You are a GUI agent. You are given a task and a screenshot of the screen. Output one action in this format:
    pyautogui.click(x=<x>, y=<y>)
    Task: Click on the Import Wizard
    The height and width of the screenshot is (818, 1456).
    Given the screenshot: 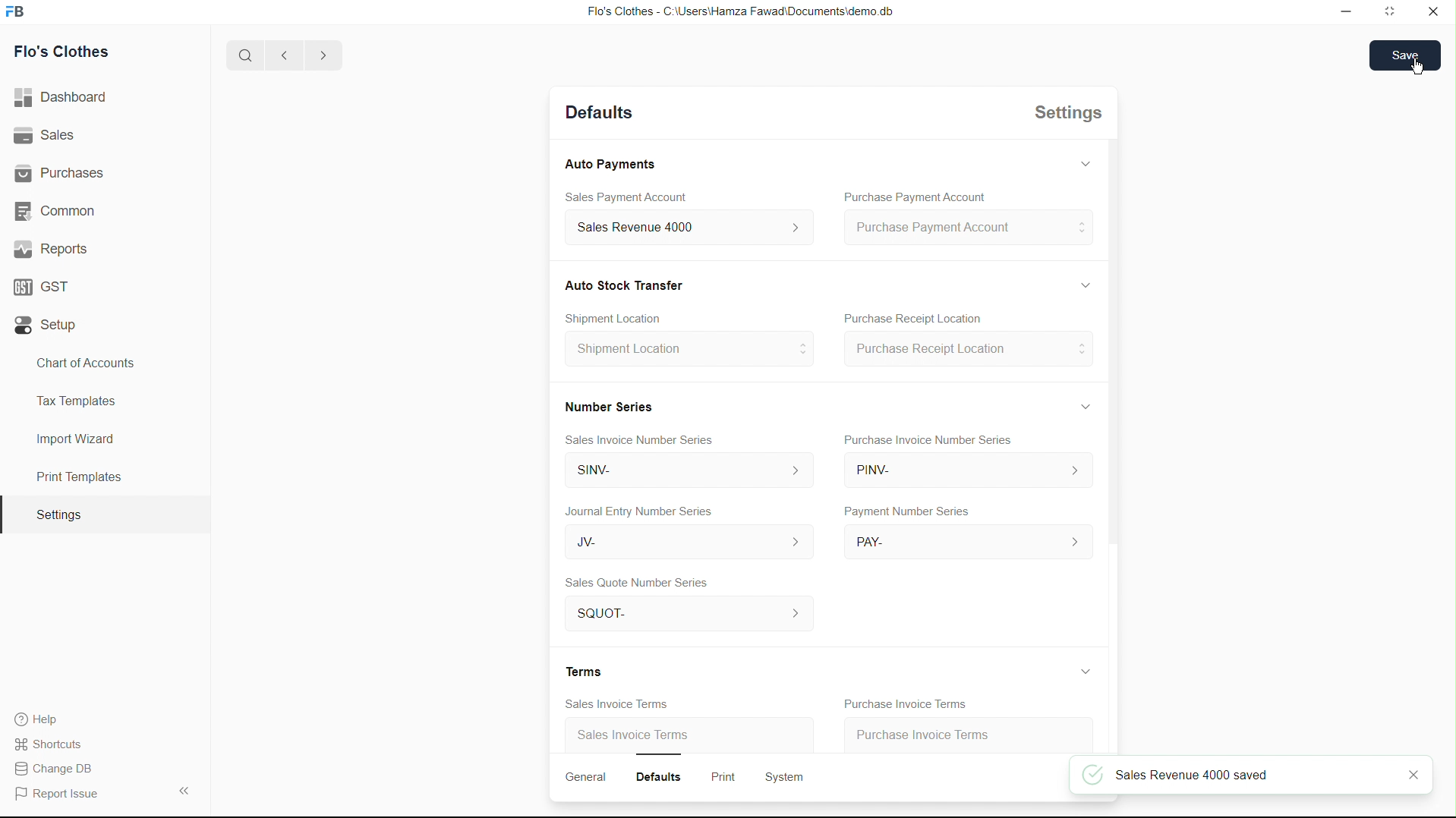 What is the action you would take?
    pyautogui.click(x=75, y=439)
    